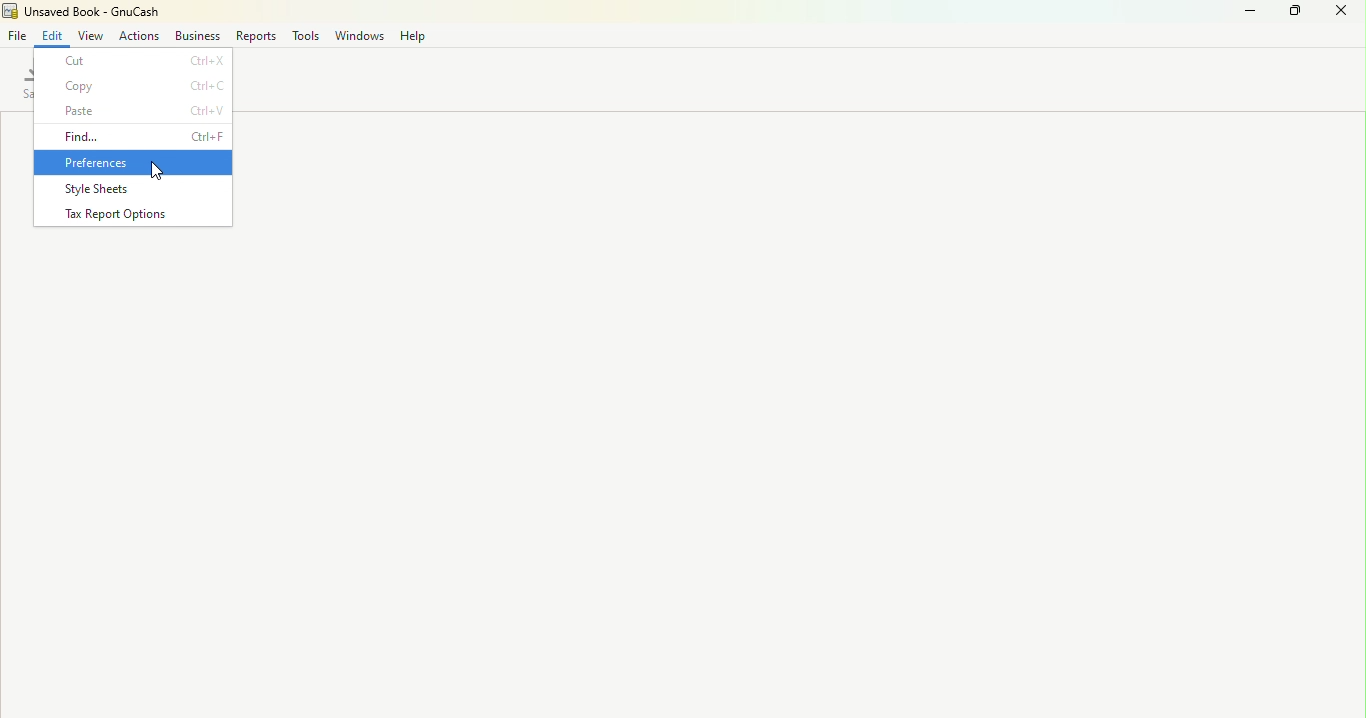 The height and width of the screenshot is (718, 1366). Describe the element at coordinates (304, 38) in the screenshot. I see `tools` at that location.